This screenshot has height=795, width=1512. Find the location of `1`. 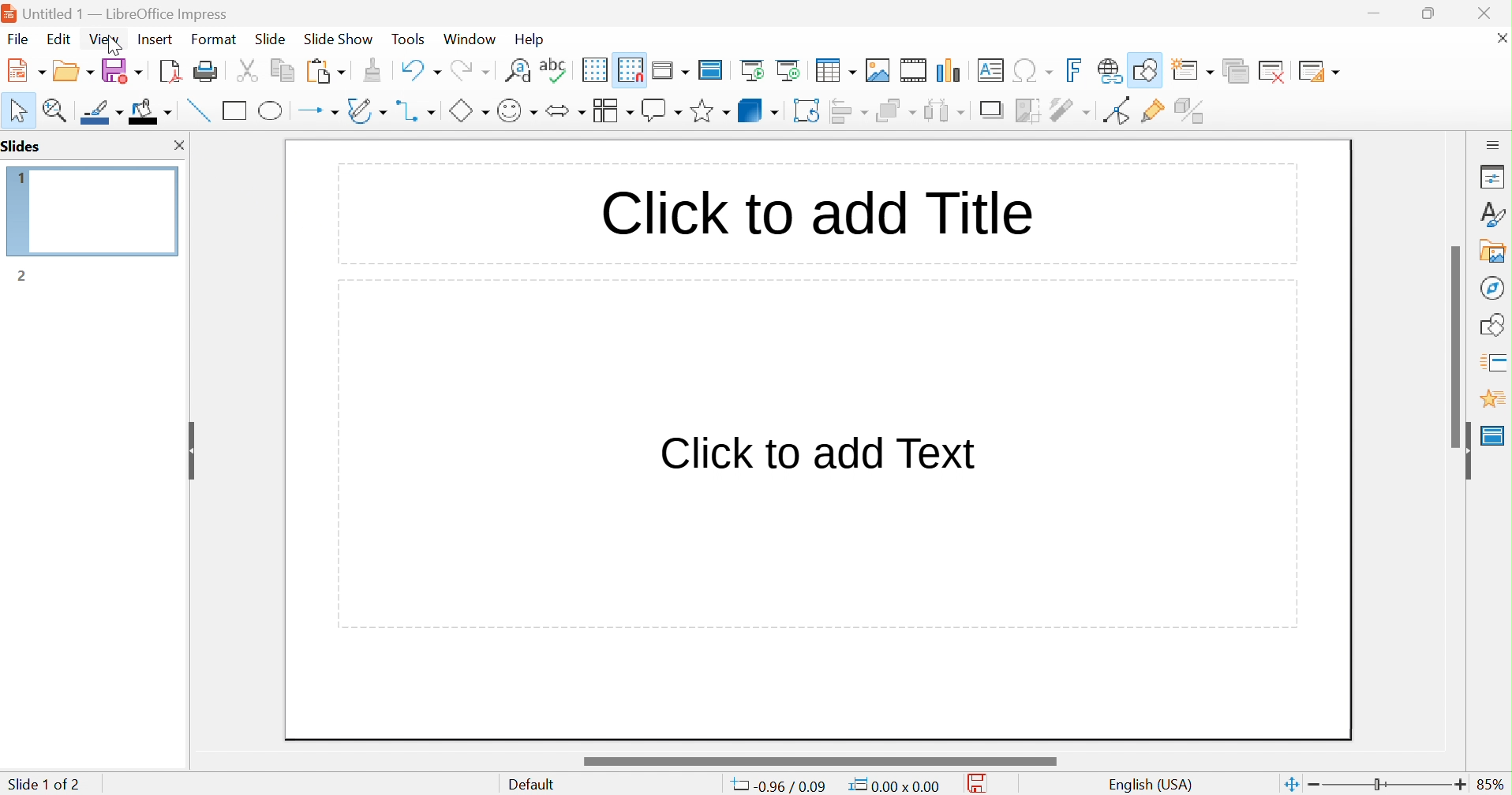

1 is located at coordinates (13, 175).